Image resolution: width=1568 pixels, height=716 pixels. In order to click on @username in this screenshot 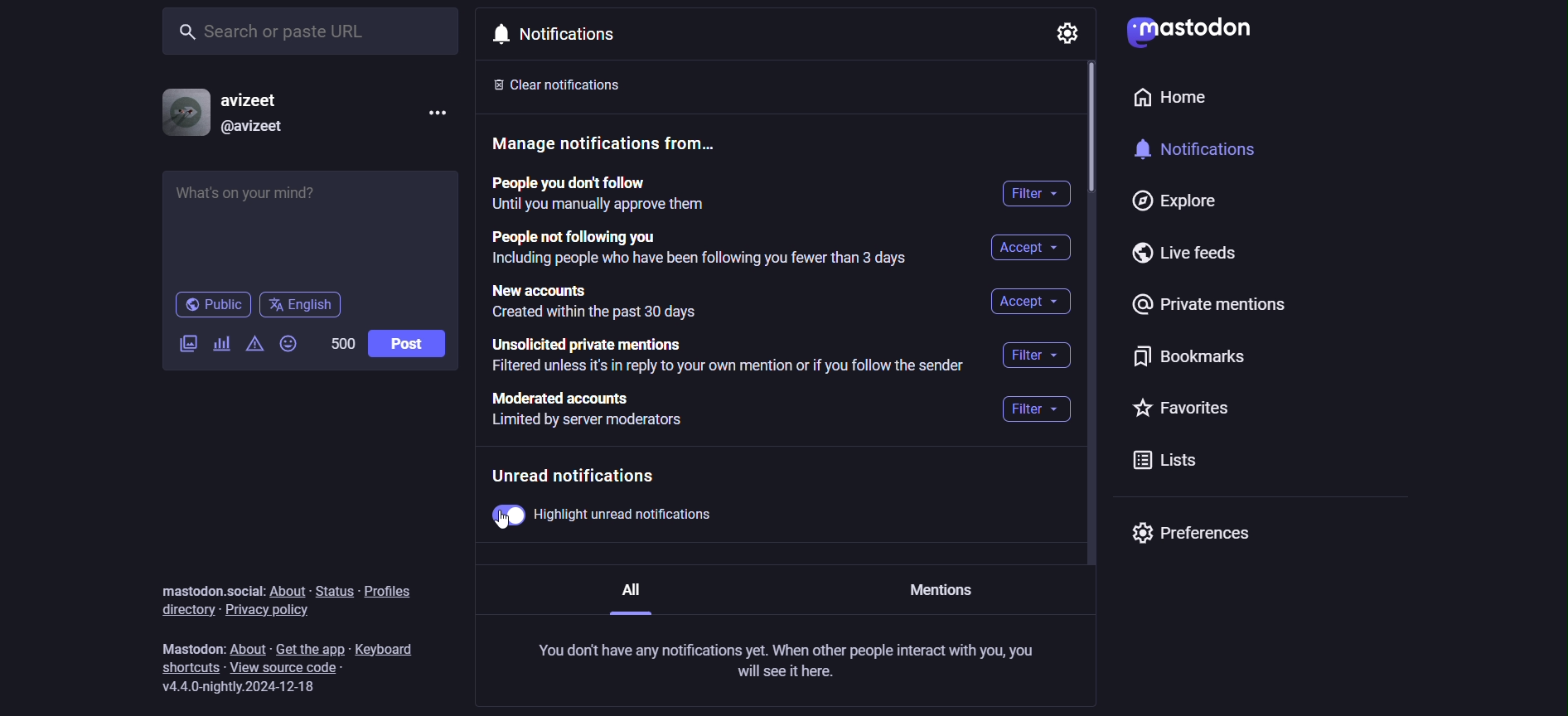, I will do `click(254, 126)`.